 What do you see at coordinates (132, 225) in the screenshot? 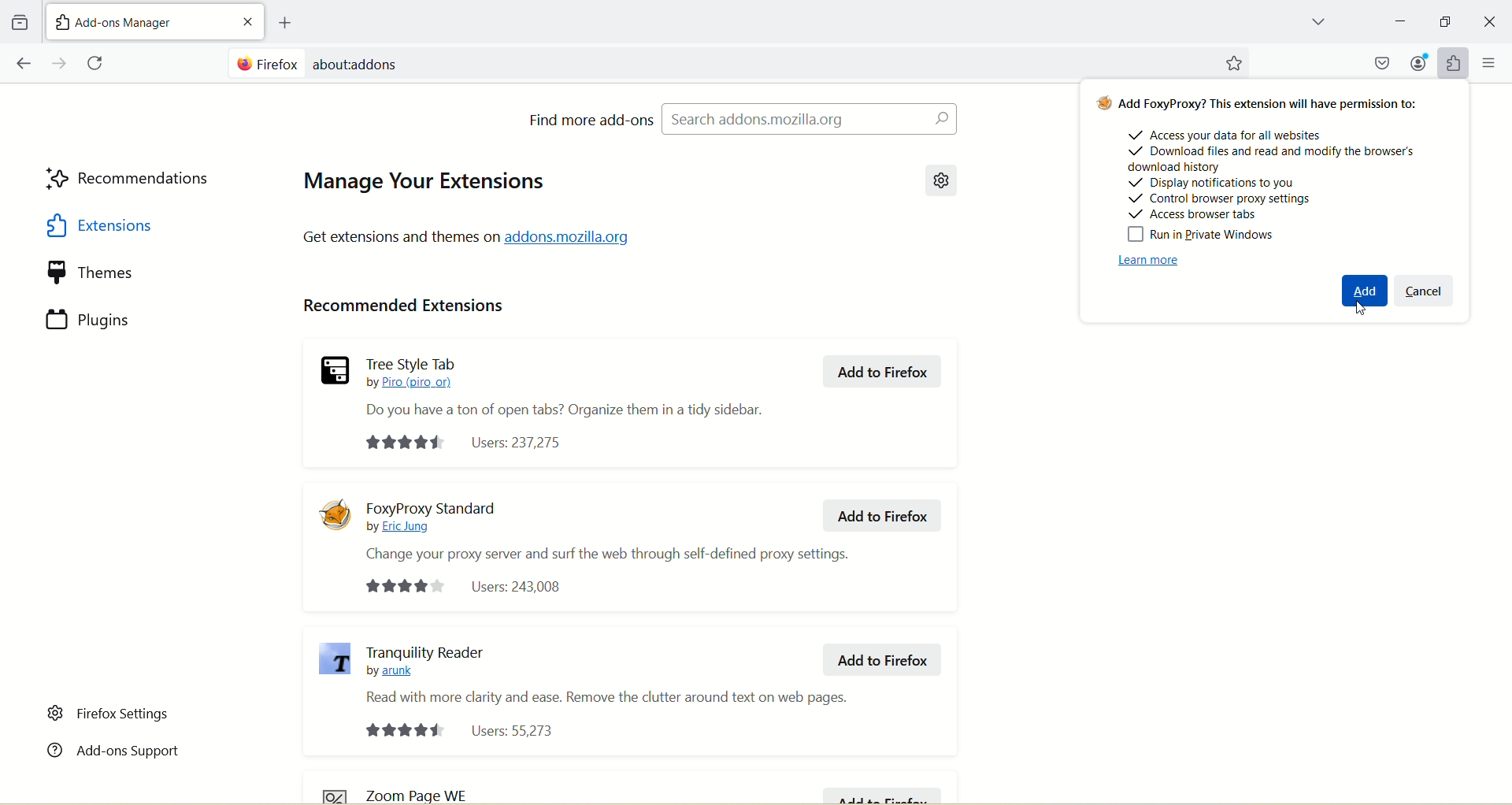
I see `Extensions` at bounding box center [132, 225].